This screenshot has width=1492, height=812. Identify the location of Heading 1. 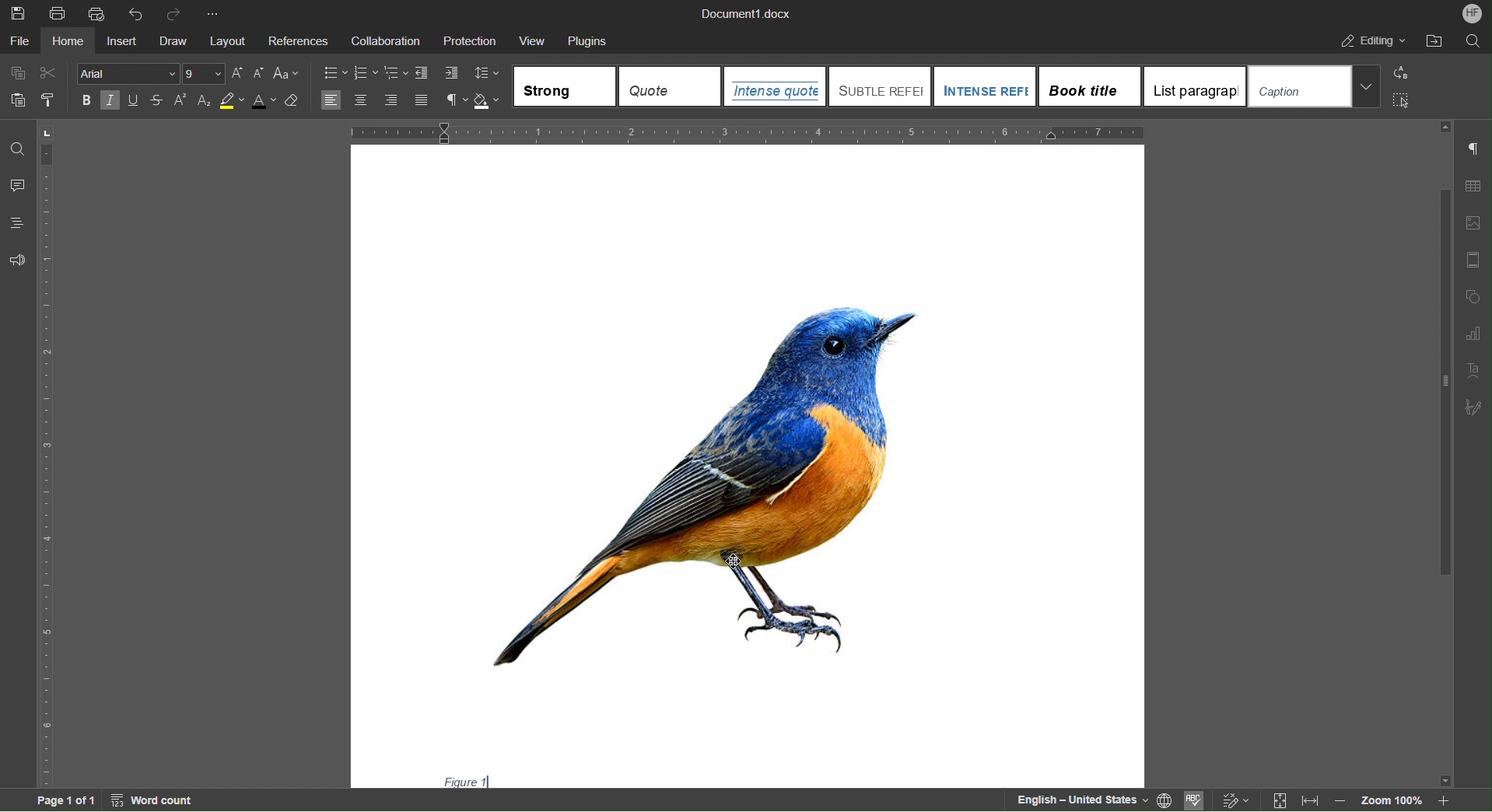
(775, 86).